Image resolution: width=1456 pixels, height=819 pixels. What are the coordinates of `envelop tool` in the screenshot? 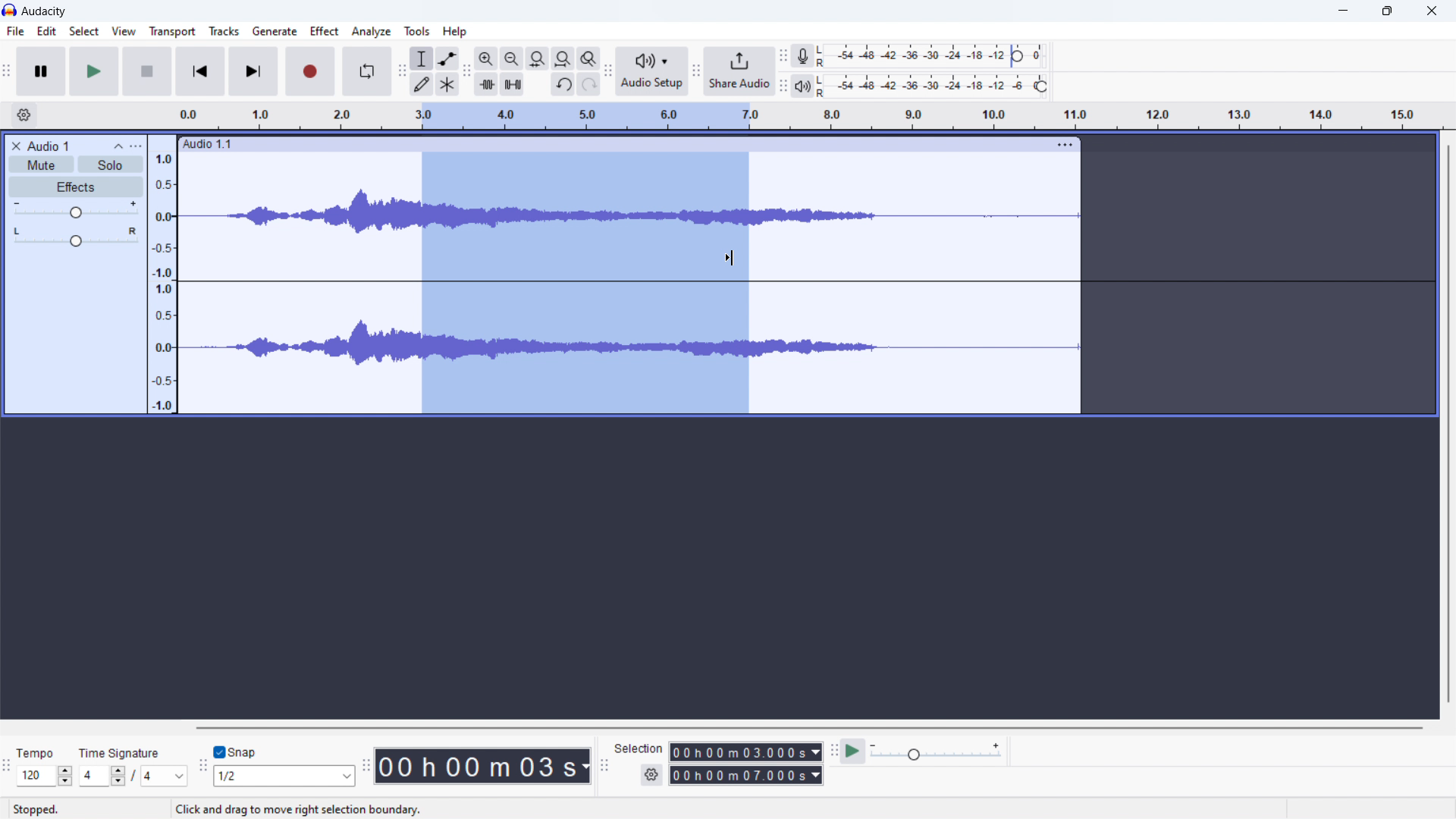 It's located at (447, 58).